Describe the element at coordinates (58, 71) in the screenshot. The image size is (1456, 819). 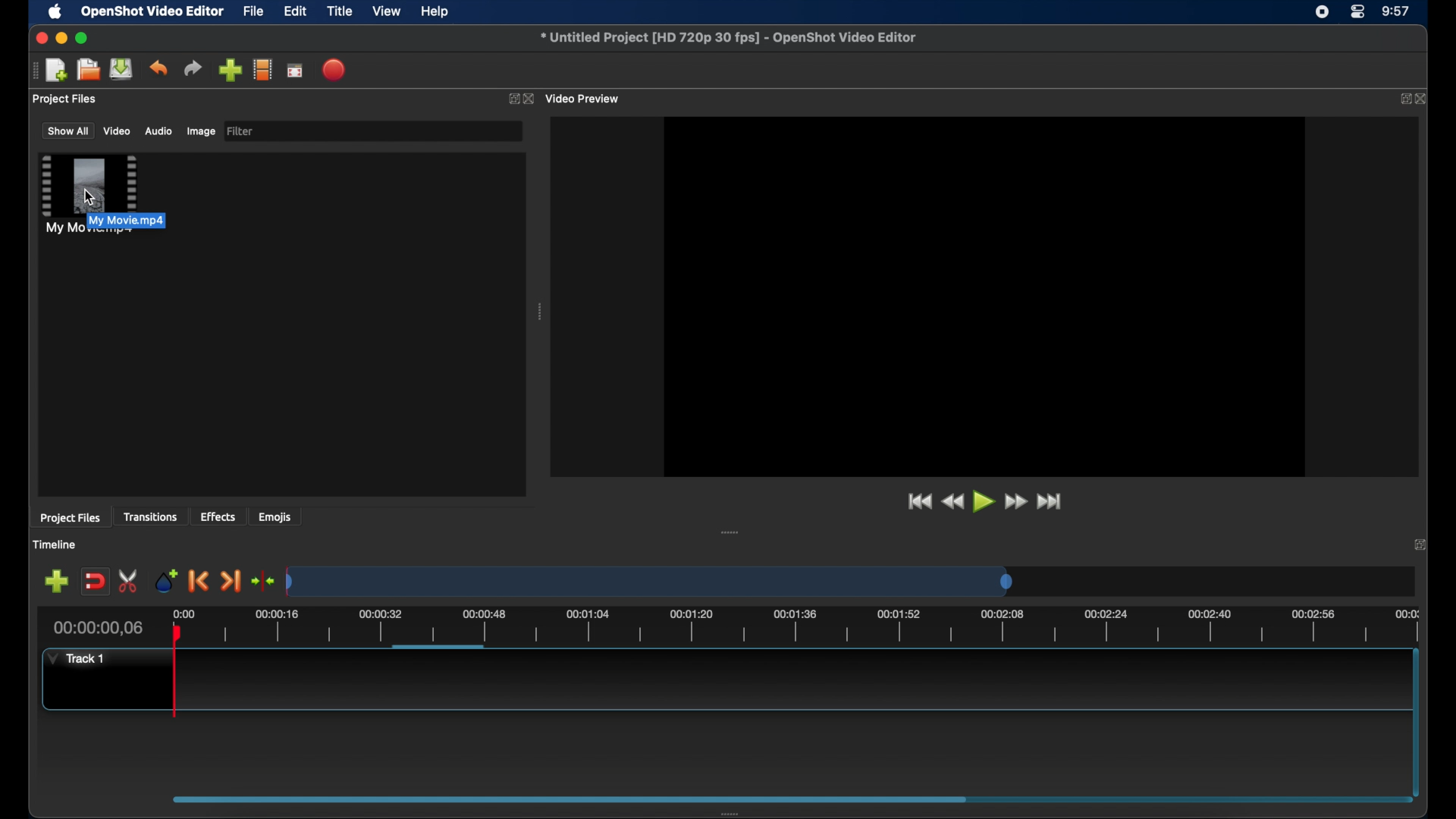
I see `new project` at that location.